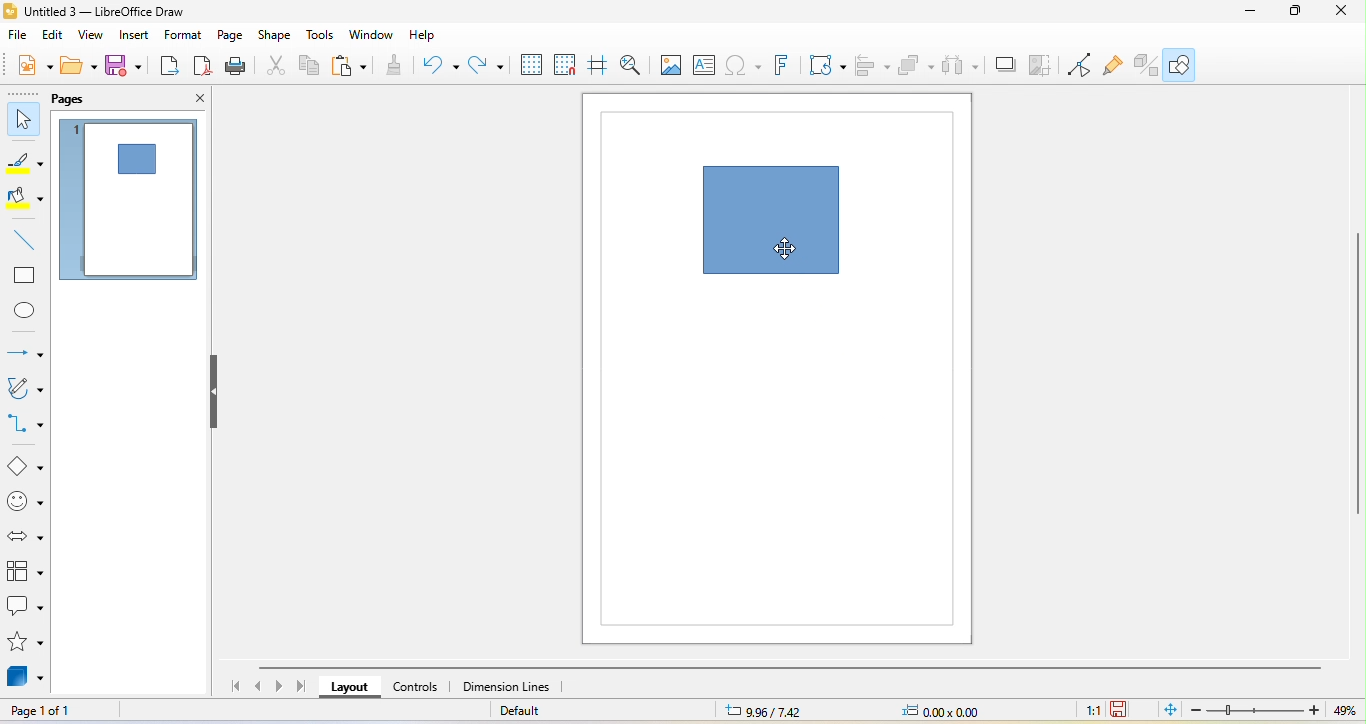  Describe the element at coordinates (188, 99) in the screenshot. I see `close` at that location.